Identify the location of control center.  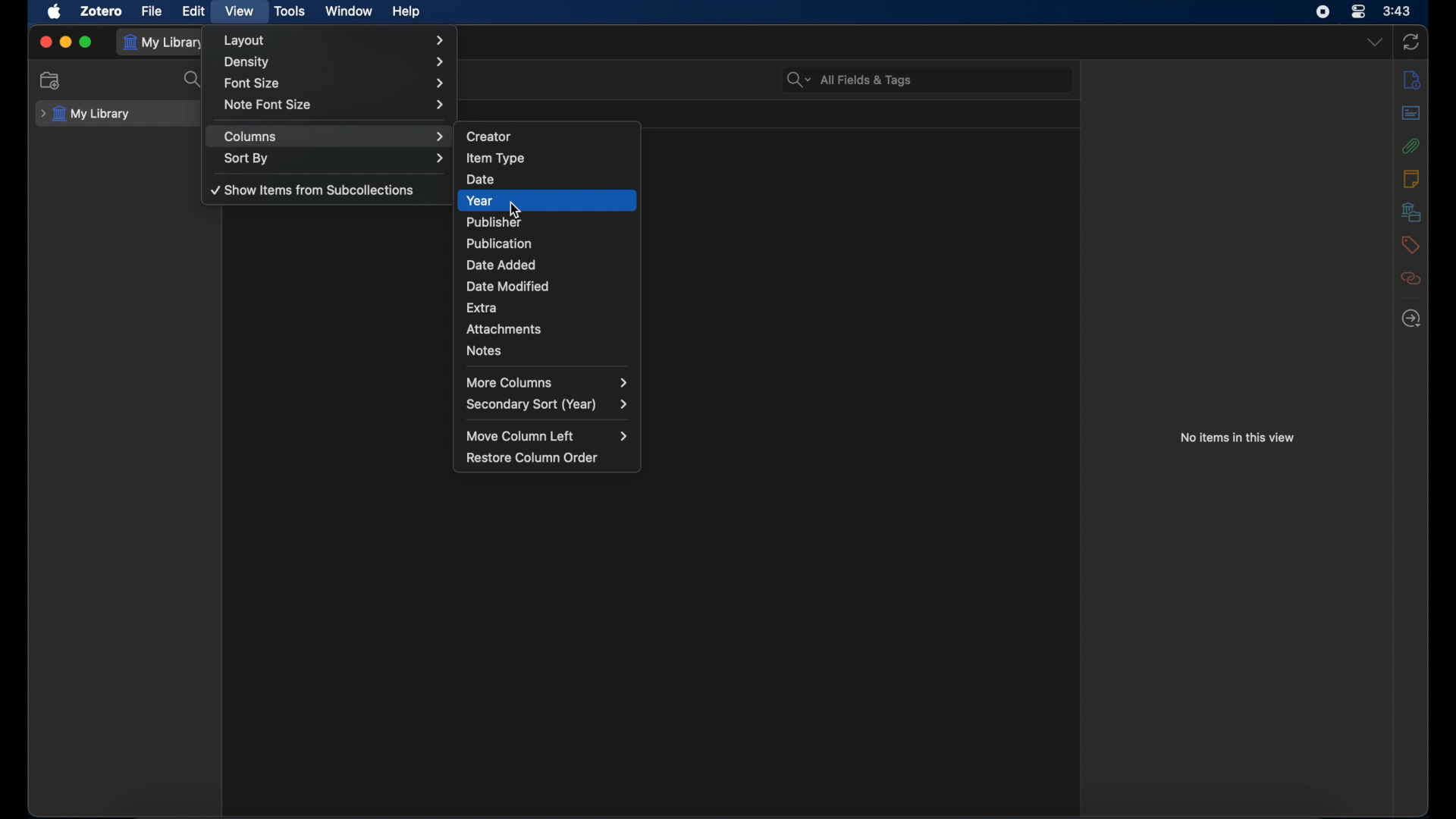
(1359, 11).